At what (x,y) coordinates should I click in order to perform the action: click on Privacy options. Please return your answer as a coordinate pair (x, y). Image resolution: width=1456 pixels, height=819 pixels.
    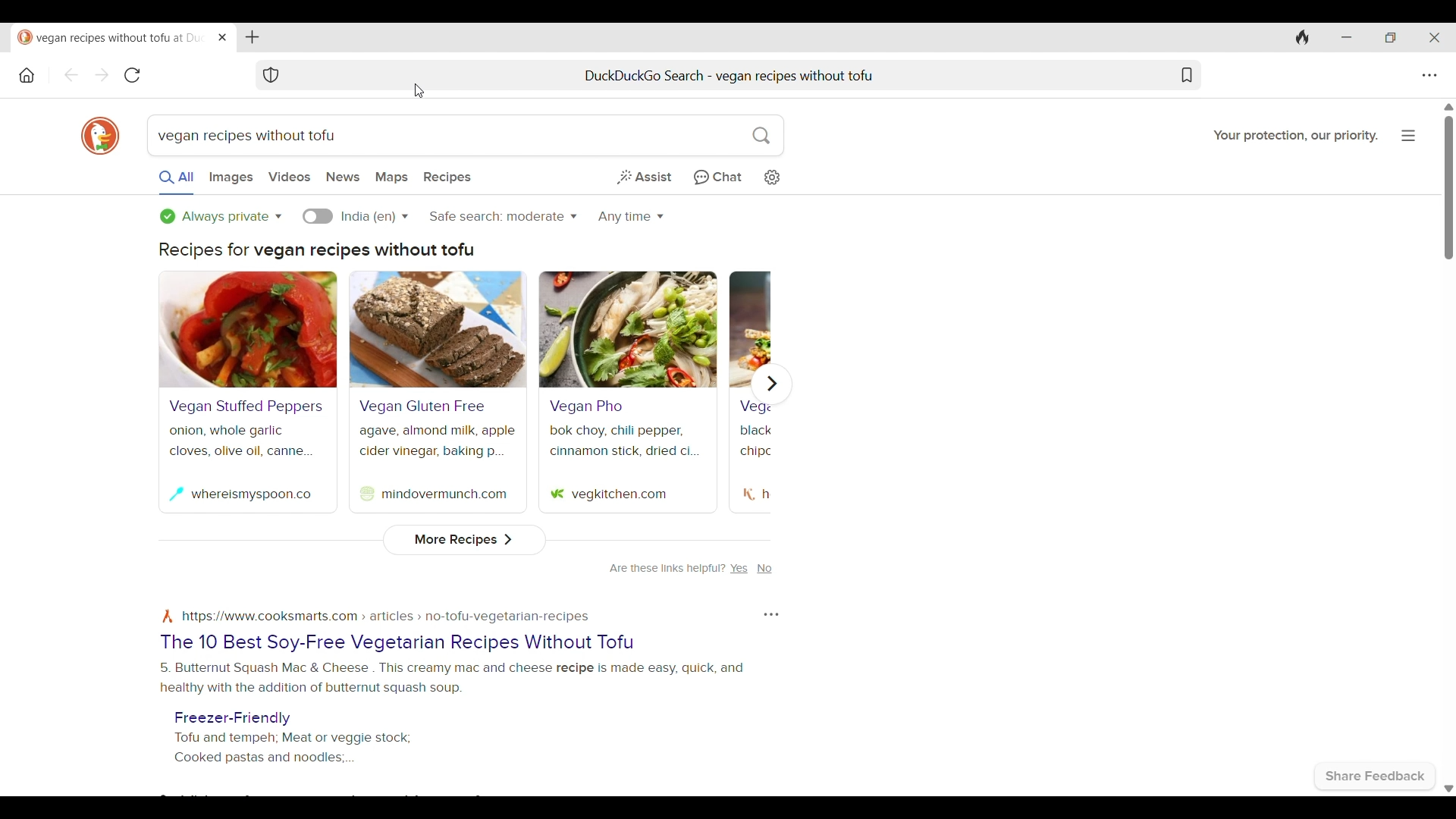
    Looking at the image, I should click on (221, 217).